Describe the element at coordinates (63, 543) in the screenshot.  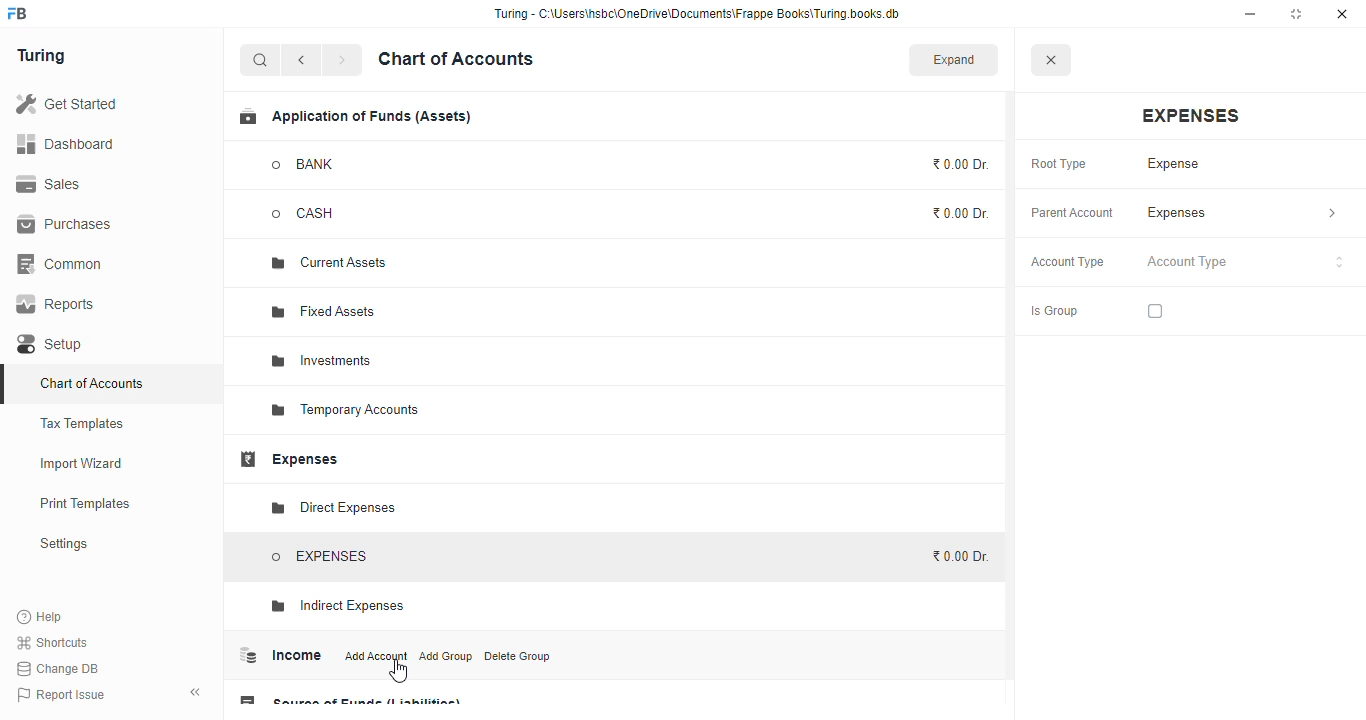
I see `settings` at that location.